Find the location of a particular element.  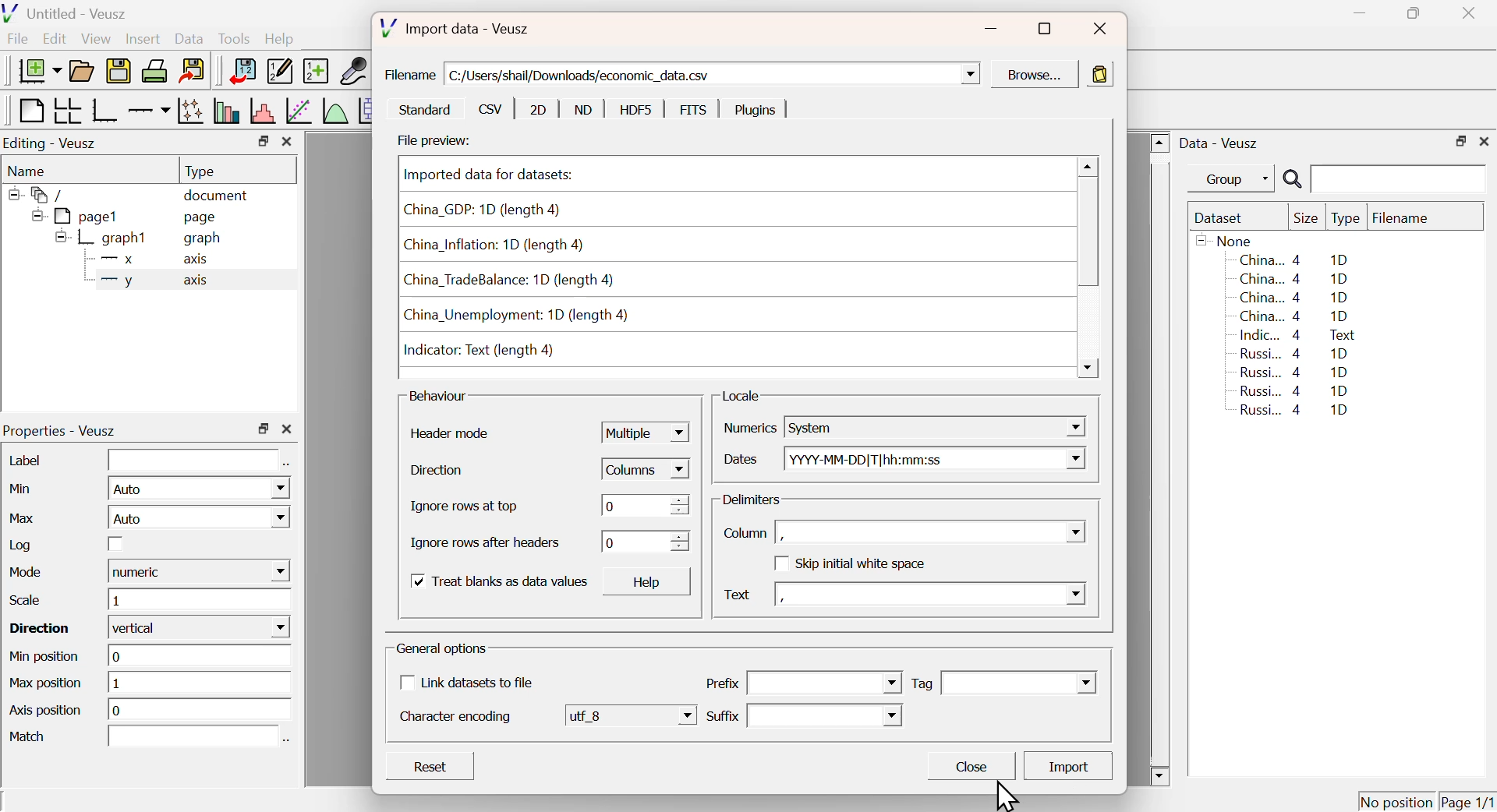

Minimize is located at coordinates (996, 28).